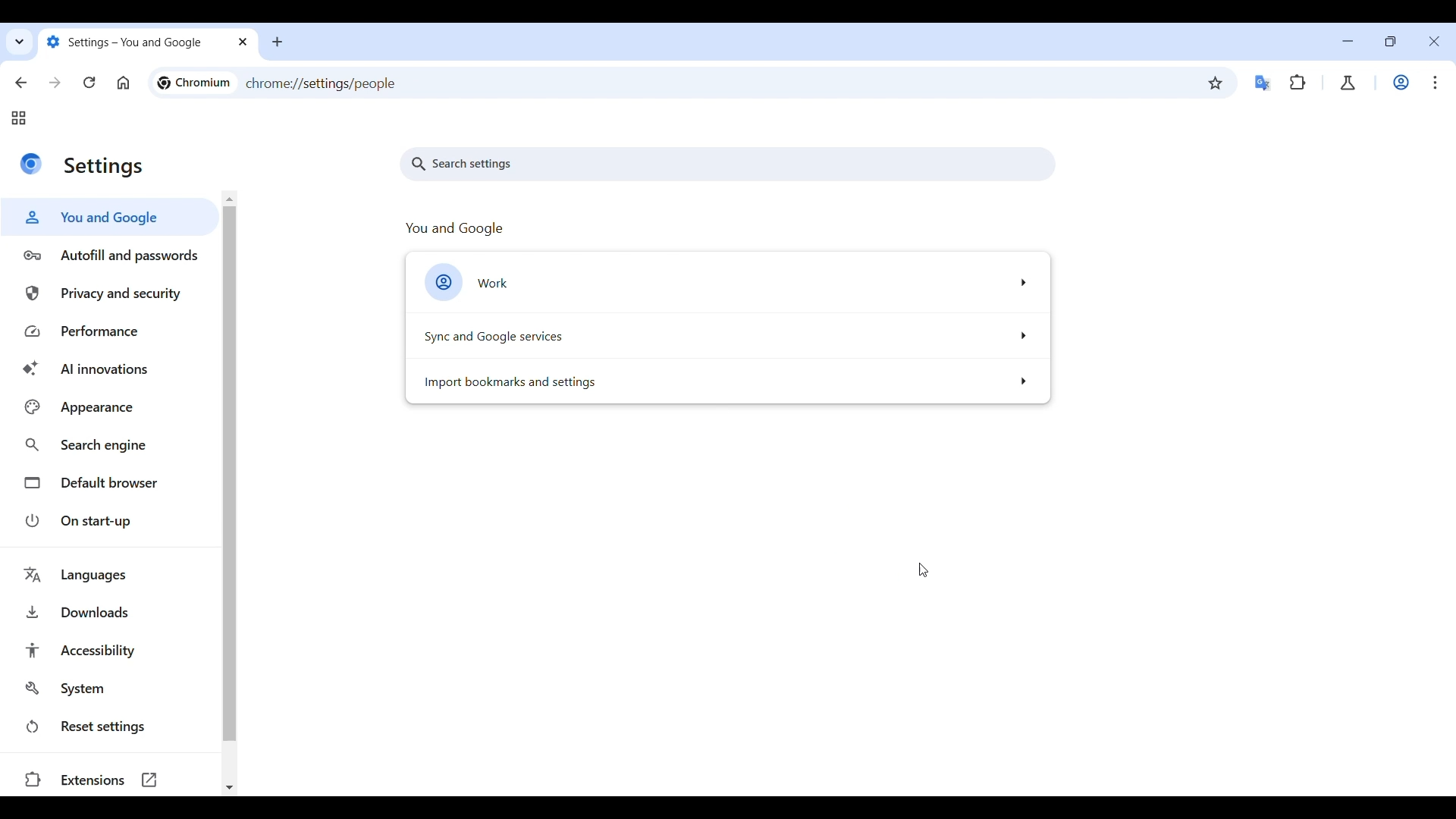 Image resolution: width=1456 pixels, height=819 pixels. What do you see at coordinates (1216, 83) in the screenshot?
I see `Bookmark this tab` at bounding box center [1216, 83].